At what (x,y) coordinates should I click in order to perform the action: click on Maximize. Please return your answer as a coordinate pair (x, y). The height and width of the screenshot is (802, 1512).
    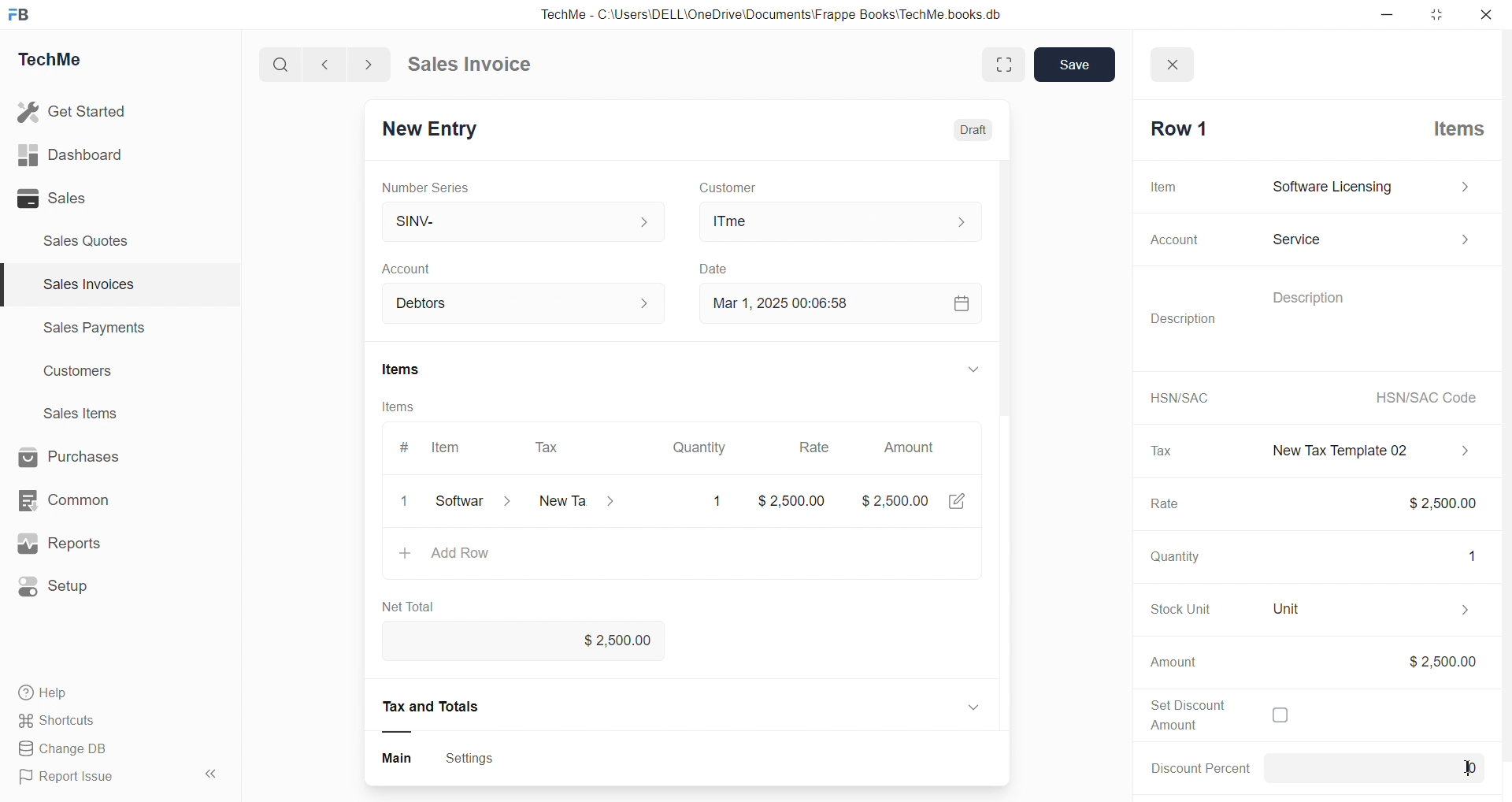
    Looking at the image, I should click on (1439, 18).